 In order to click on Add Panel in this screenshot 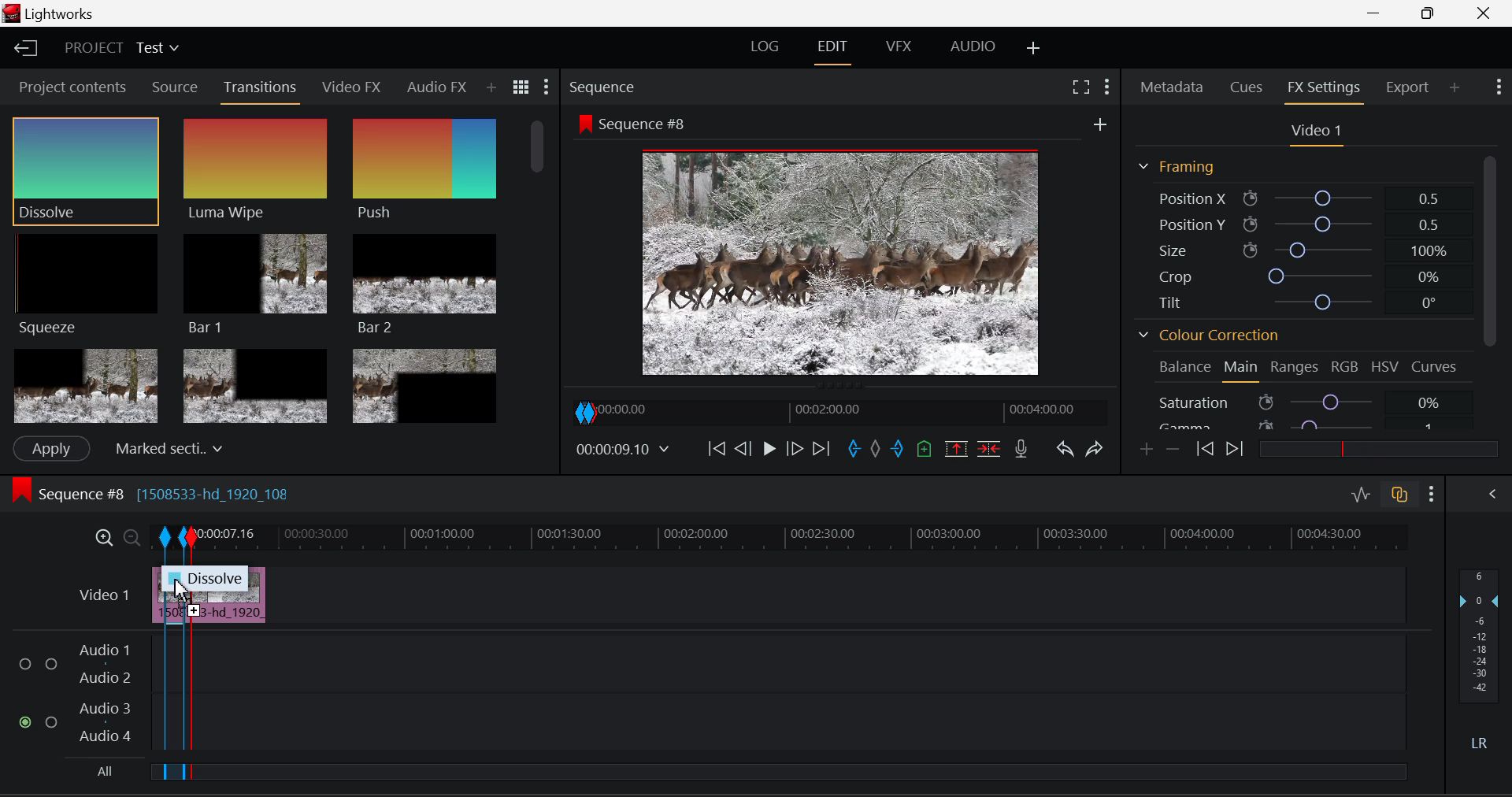, I will do `click(1455, 88)`.